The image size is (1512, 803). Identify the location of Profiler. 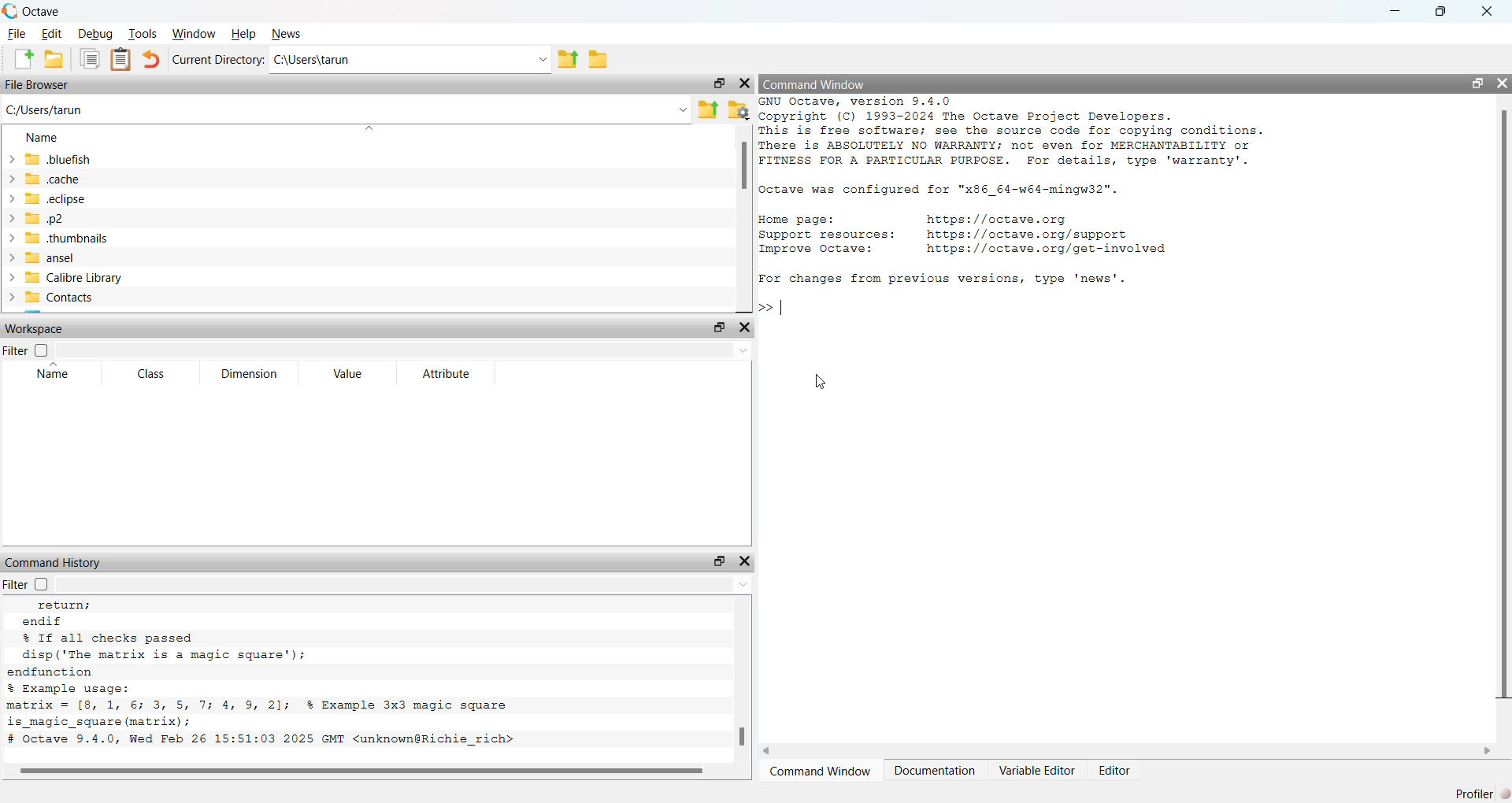
(1484, 793).